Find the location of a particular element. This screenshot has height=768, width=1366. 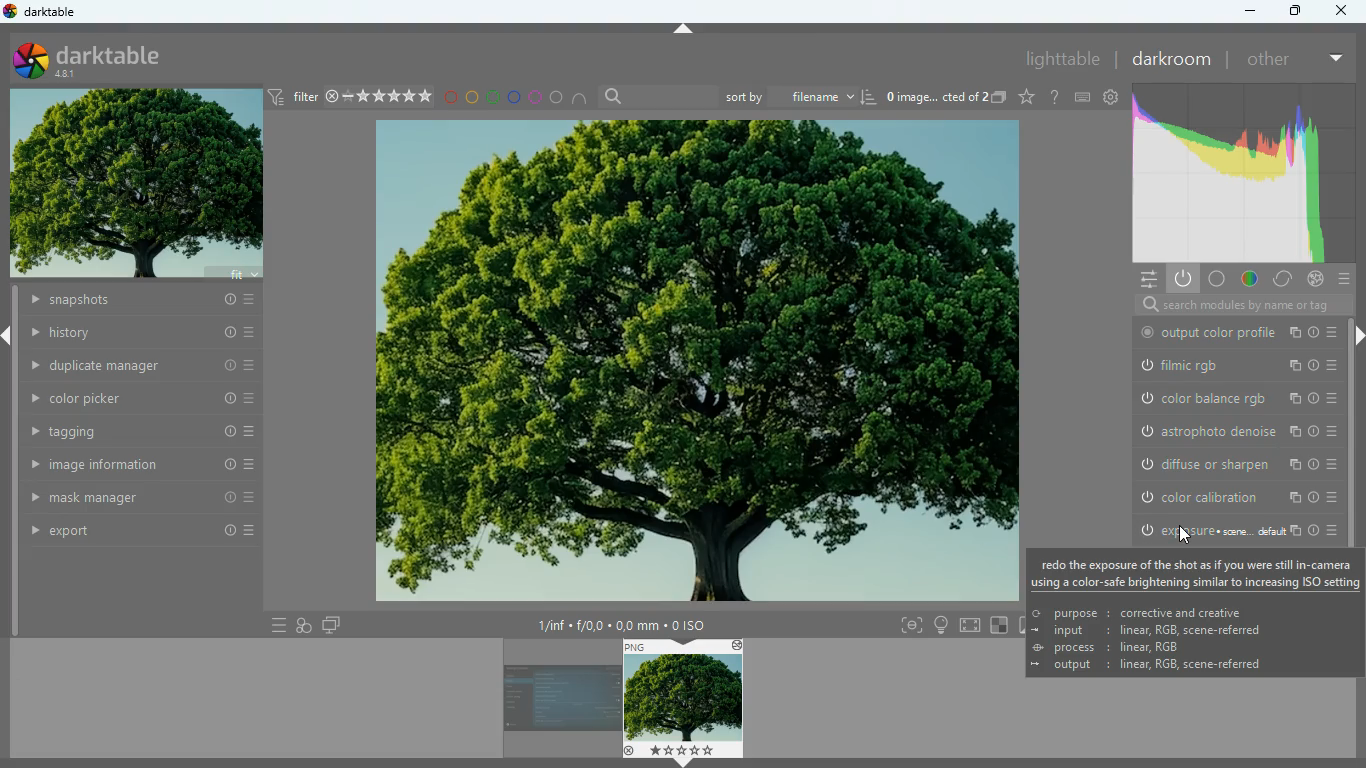

minimize is located at coordinates (1251, 13).